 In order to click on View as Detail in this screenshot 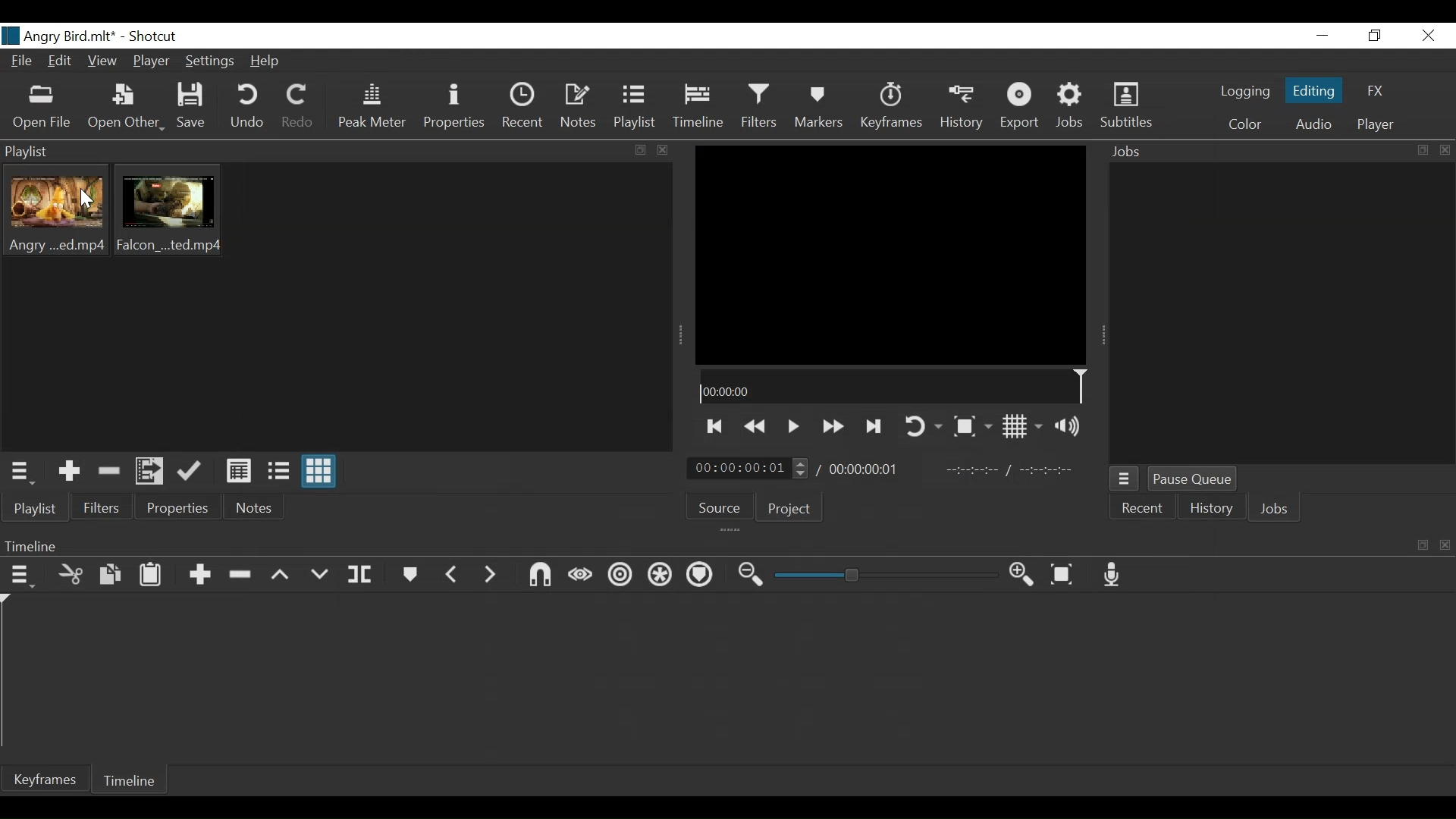, I will do `click(238, 471)`.